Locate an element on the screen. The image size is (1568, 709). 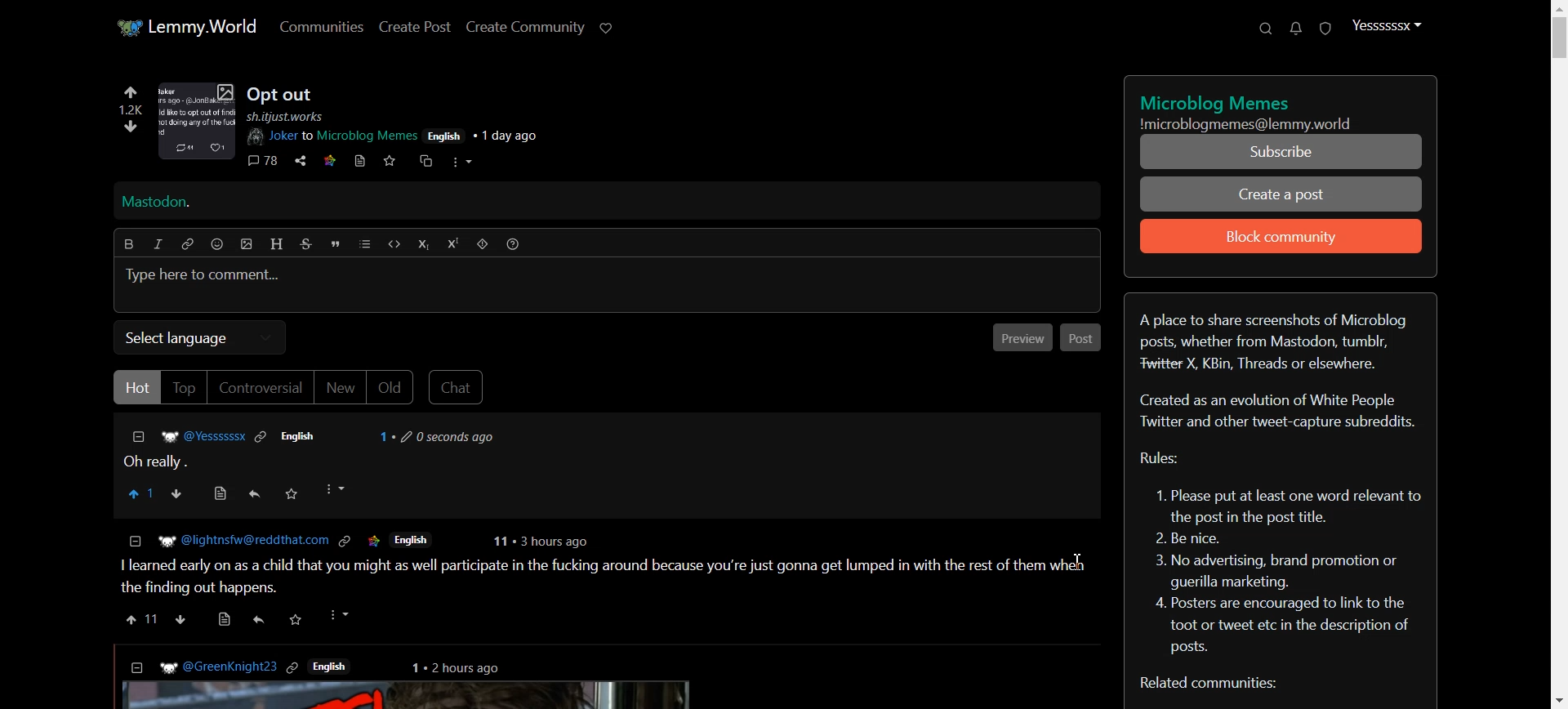
Quote is located at coordinates (336, 243).